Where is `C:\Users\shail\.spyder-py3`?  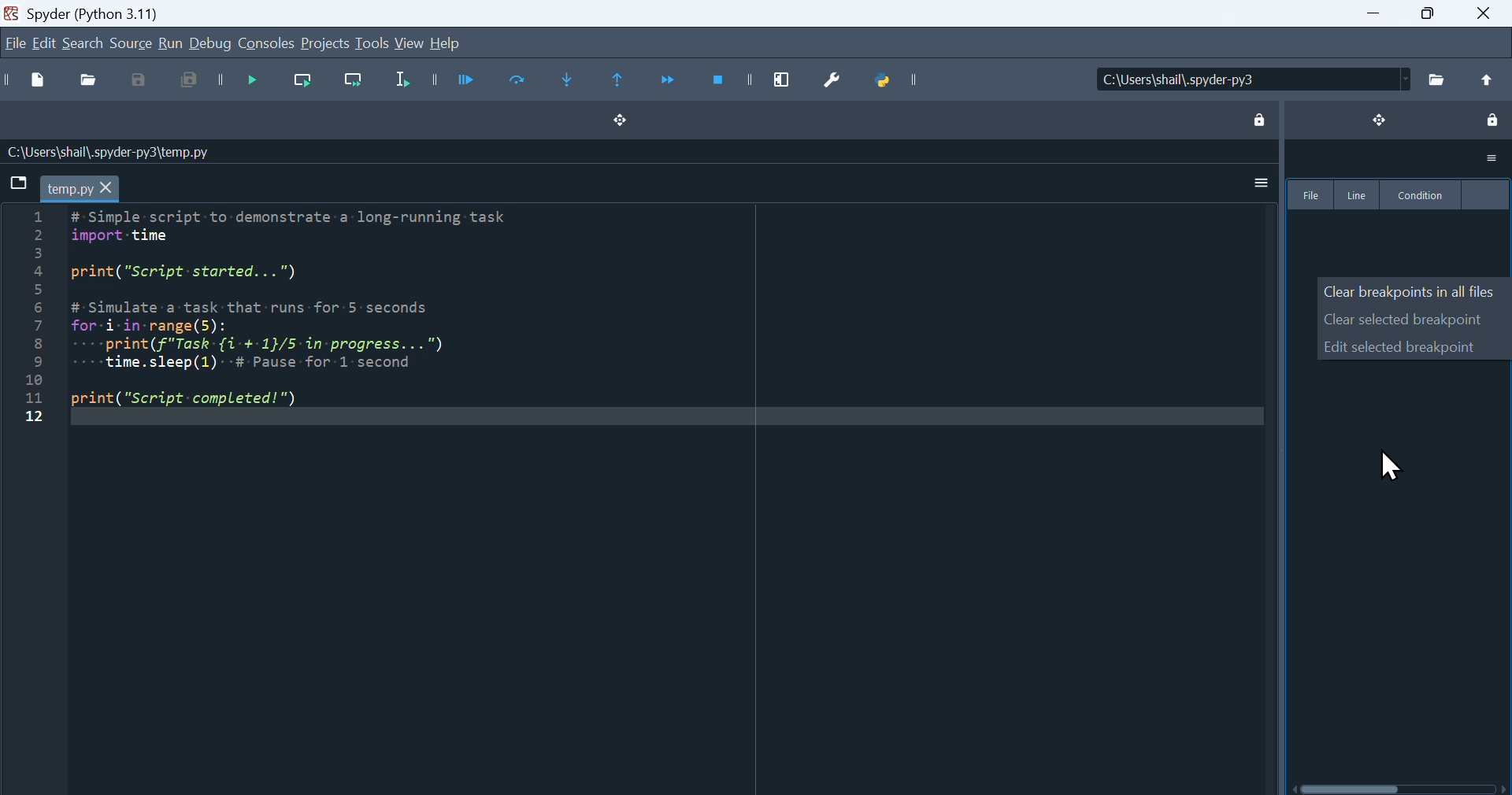
C:\Users\shail\.spyder-py3 is located at coordinates (1249, 78).